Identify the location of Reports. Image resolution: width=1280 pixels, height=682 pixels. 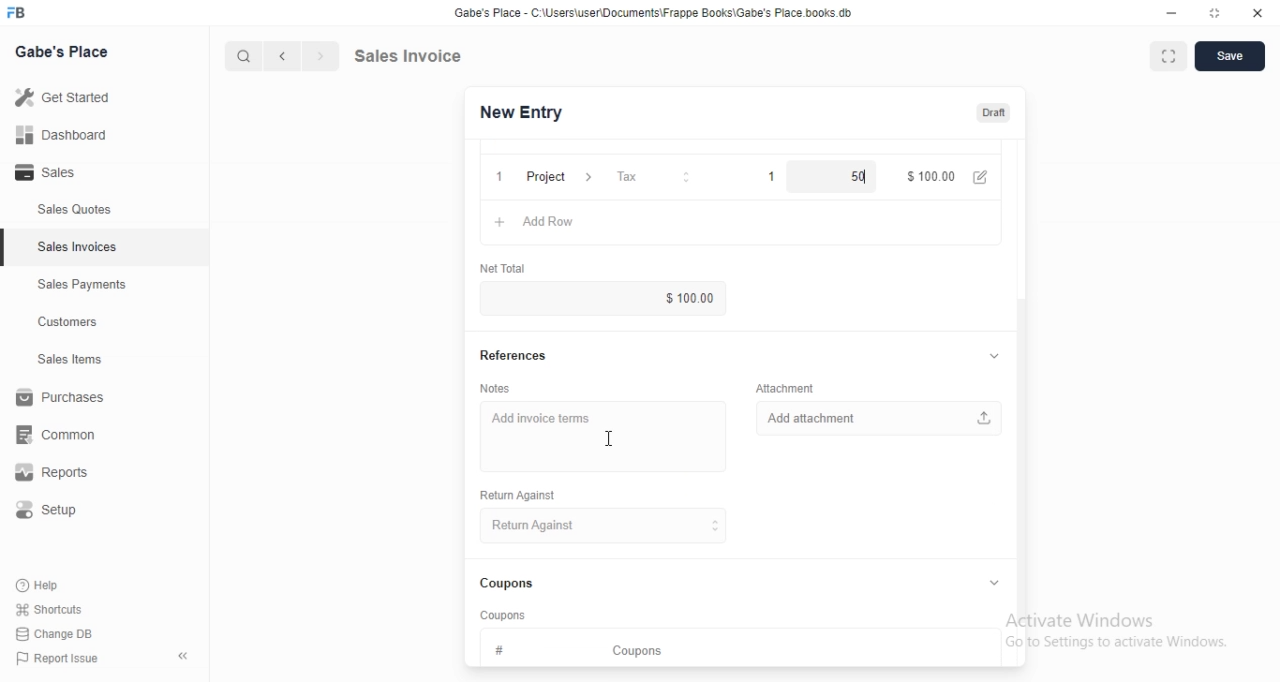
(65, 475).